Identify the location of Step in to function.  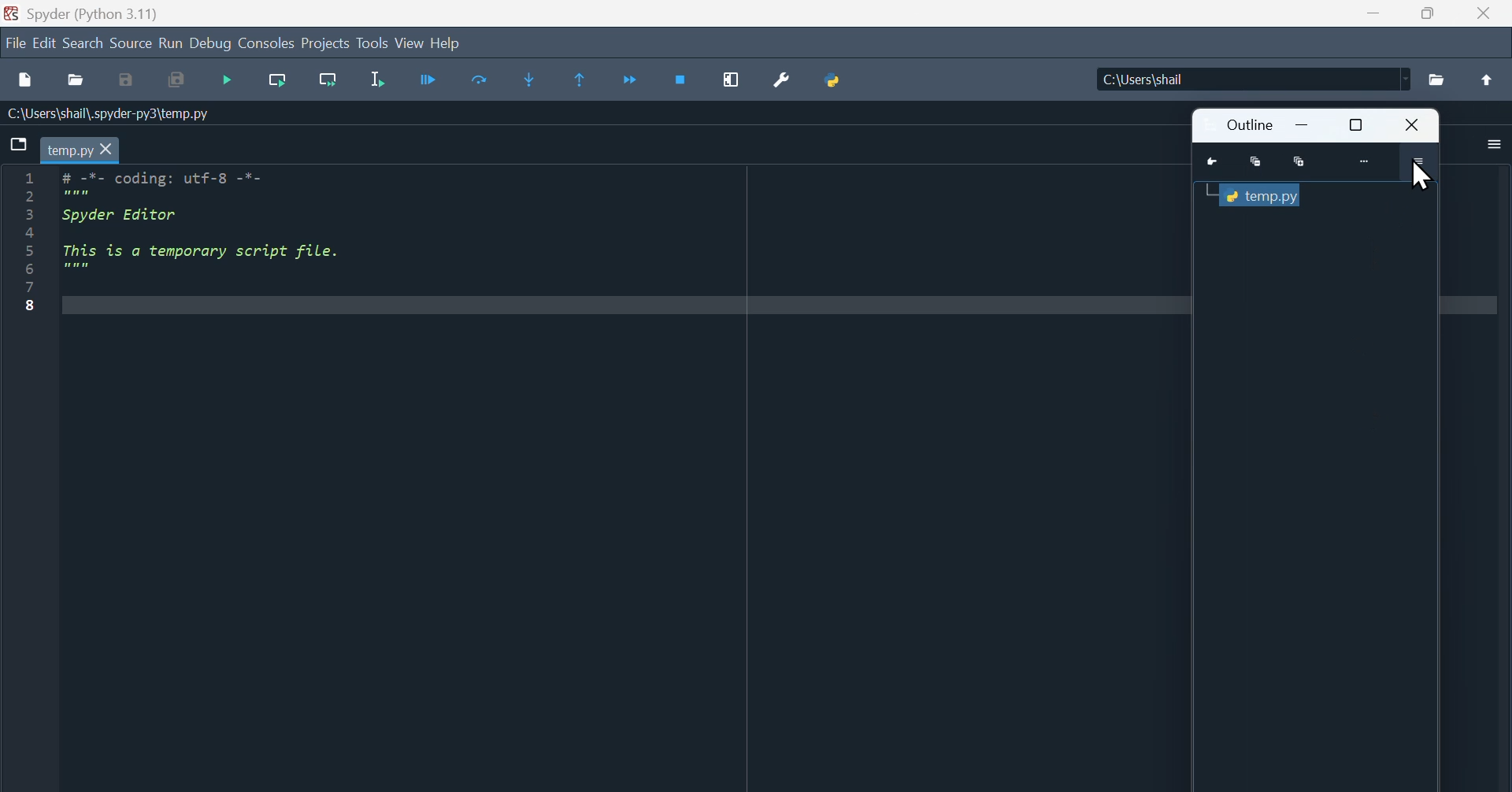
(530, 80).